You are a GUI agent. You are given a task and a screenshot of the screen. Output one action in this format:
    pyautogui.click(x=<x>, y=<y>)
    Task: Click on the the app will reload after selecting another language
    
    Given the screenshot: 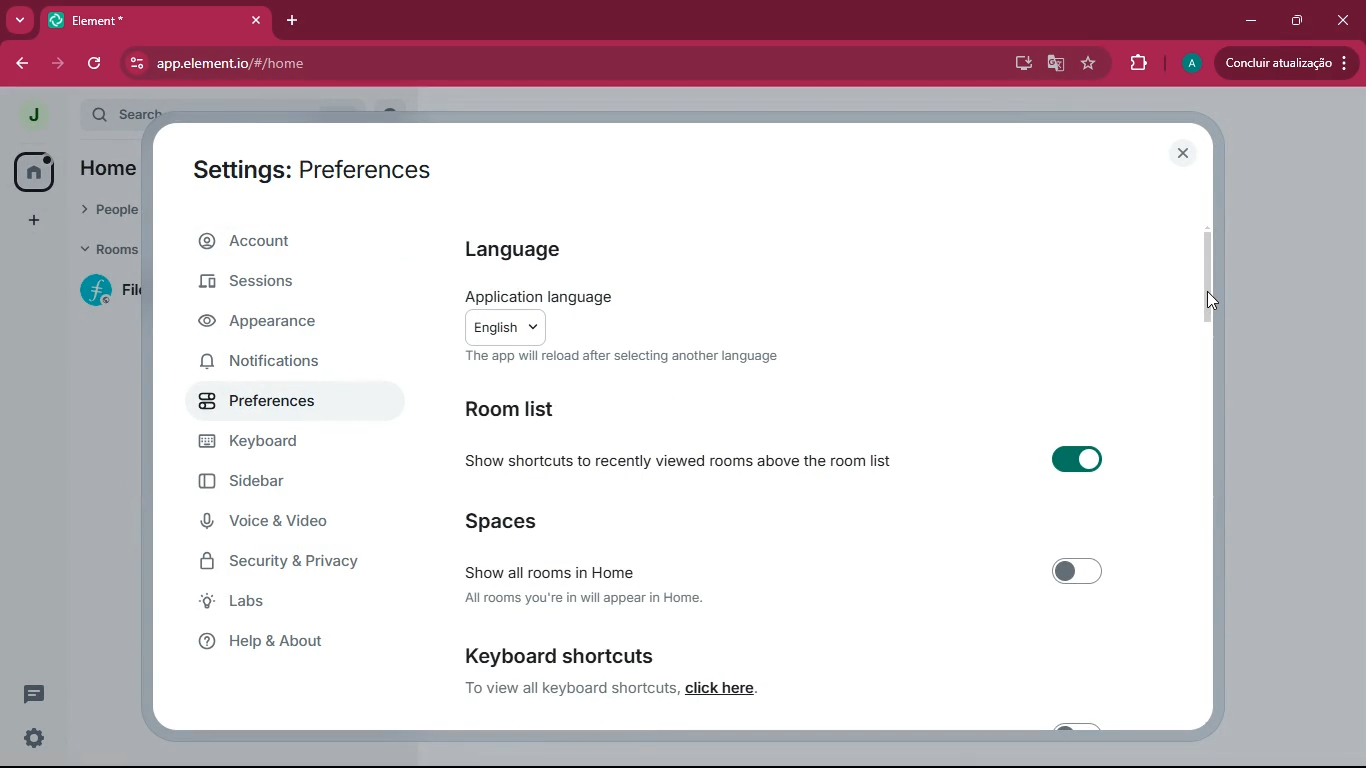 What is the action you would take?
    pyautogui.click(x=621, y=357)
    